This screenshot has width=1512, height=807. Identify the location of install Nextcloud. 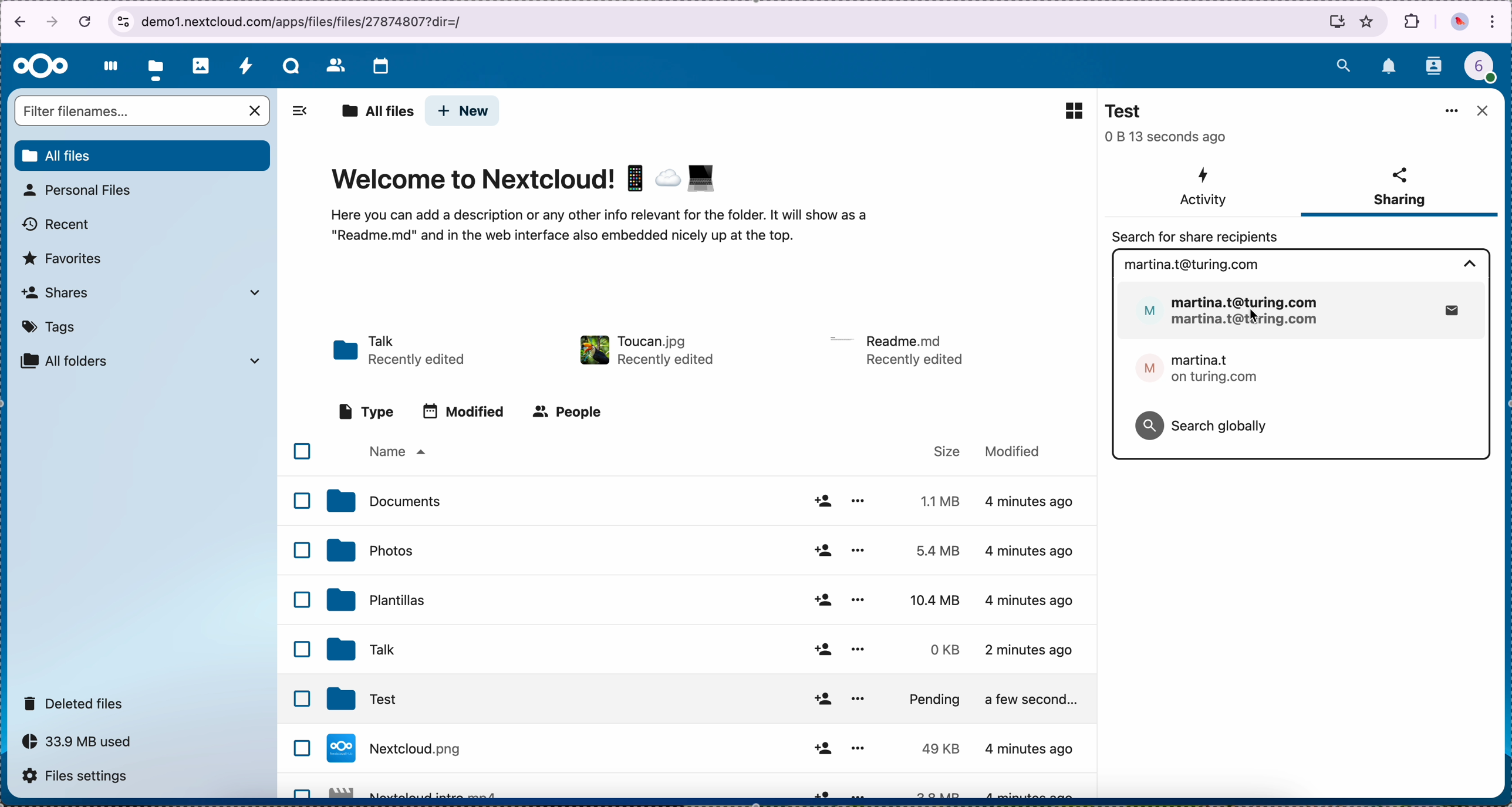
(1337, 24).